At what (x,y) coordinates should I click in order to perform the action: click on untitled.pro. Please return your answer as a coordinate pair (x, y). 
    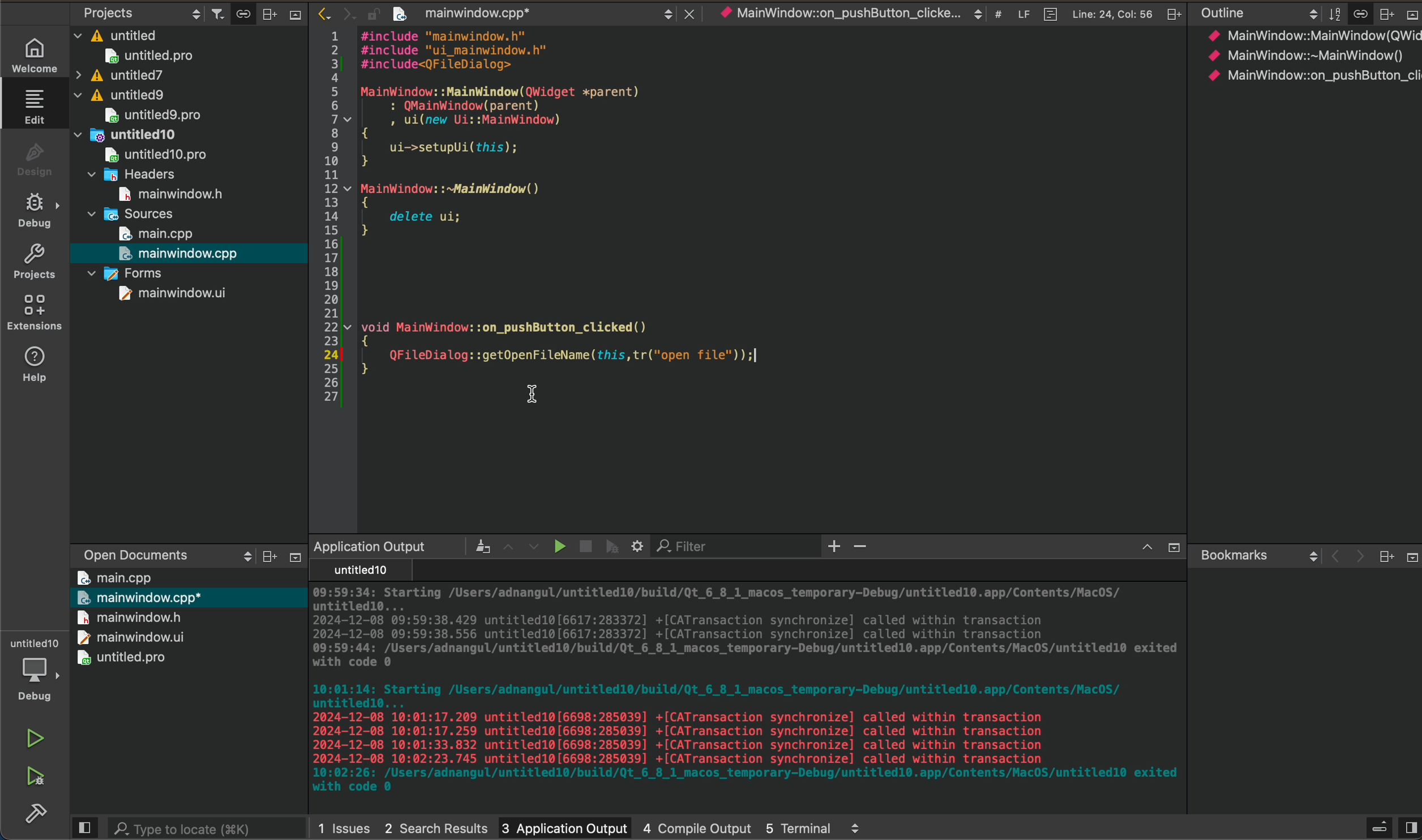
    Looking at the image, I should click on (123, 658).